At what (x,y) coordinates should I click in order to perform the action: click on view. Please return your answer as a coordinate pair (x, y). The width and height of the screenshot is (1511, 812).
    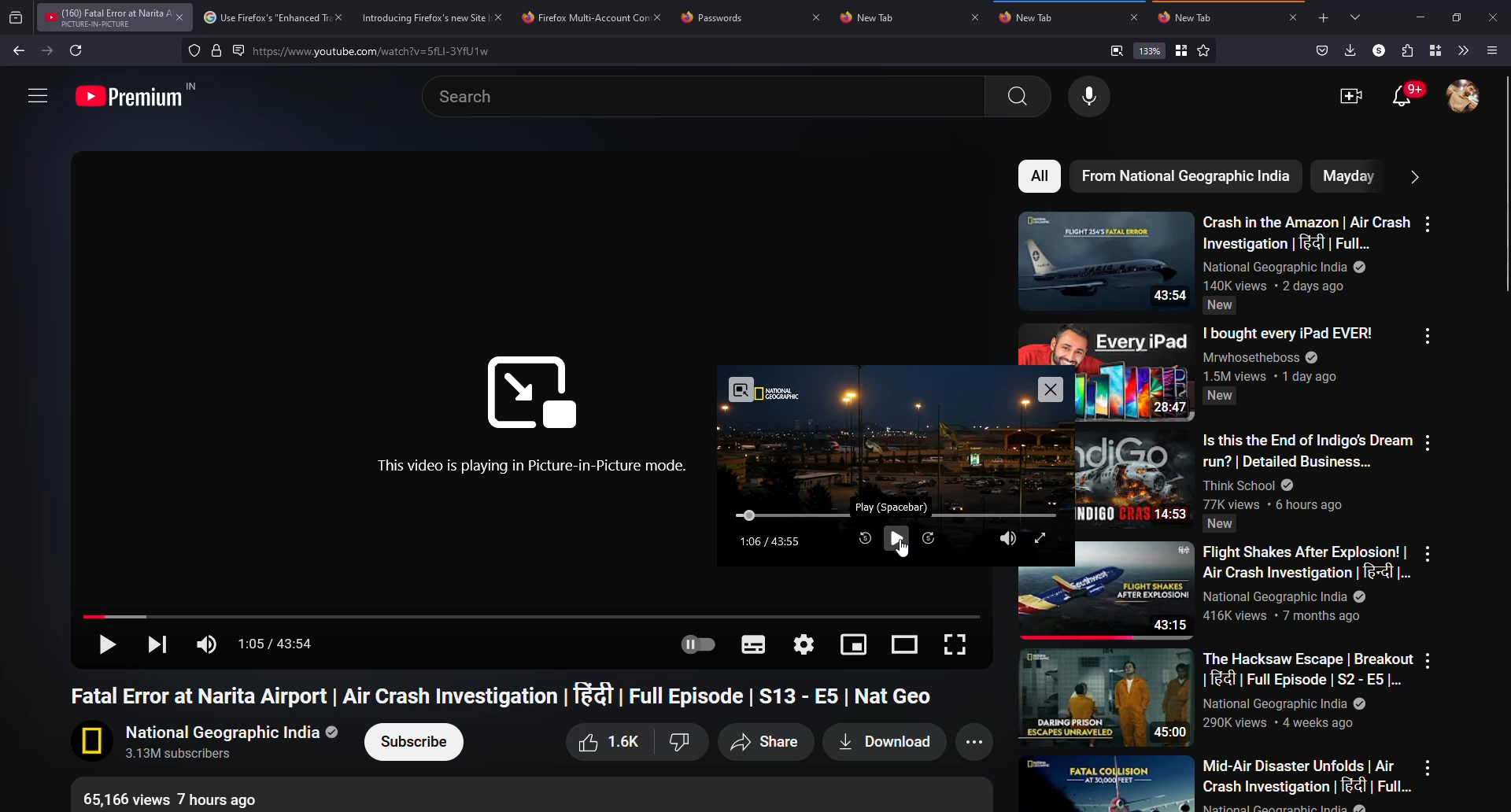
    Looking at the image, I should click on (855, 643).